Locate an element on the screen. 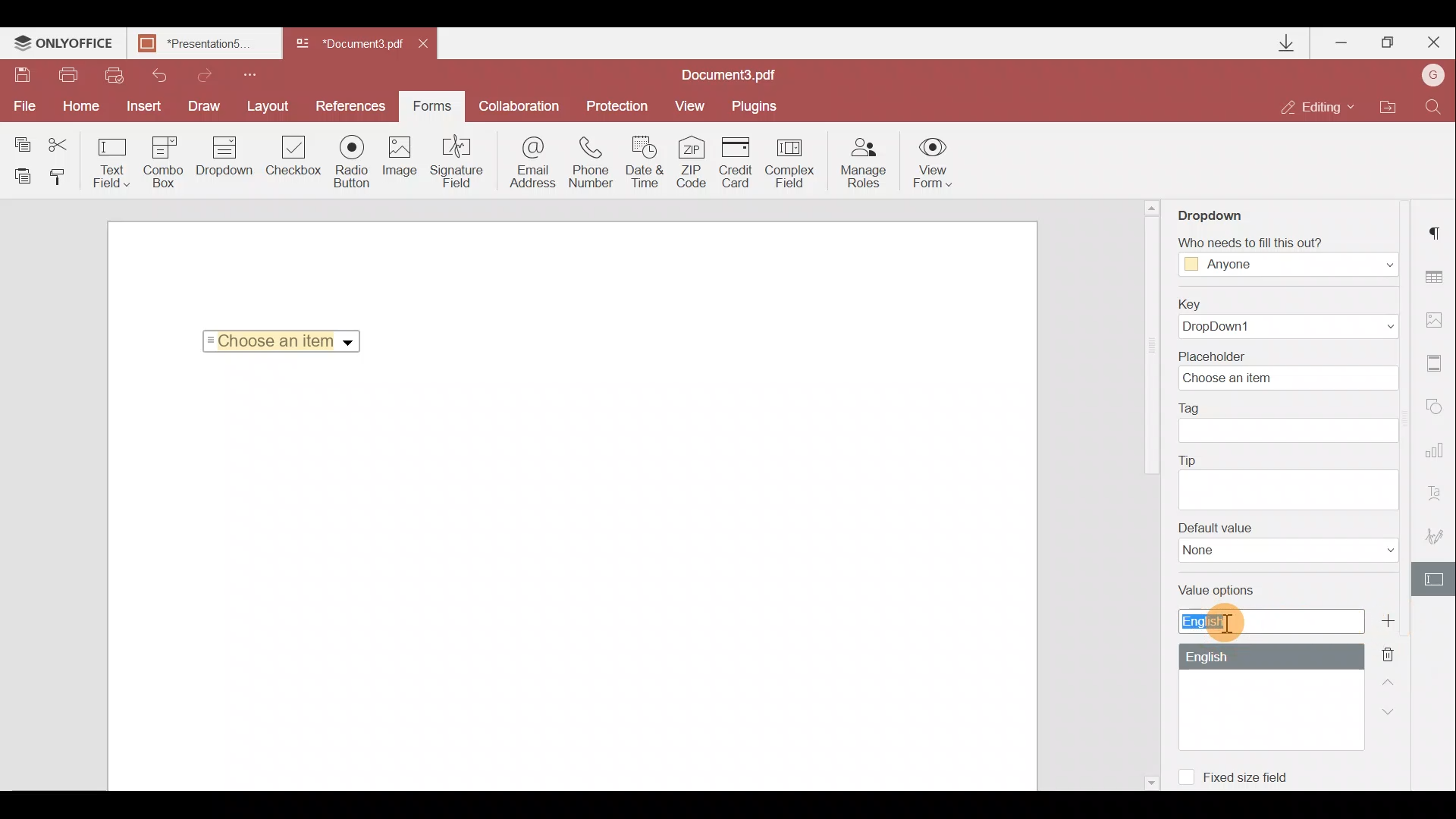 This screenshot has width=1456, height=819. Undo is located at coordinates (153, 73).